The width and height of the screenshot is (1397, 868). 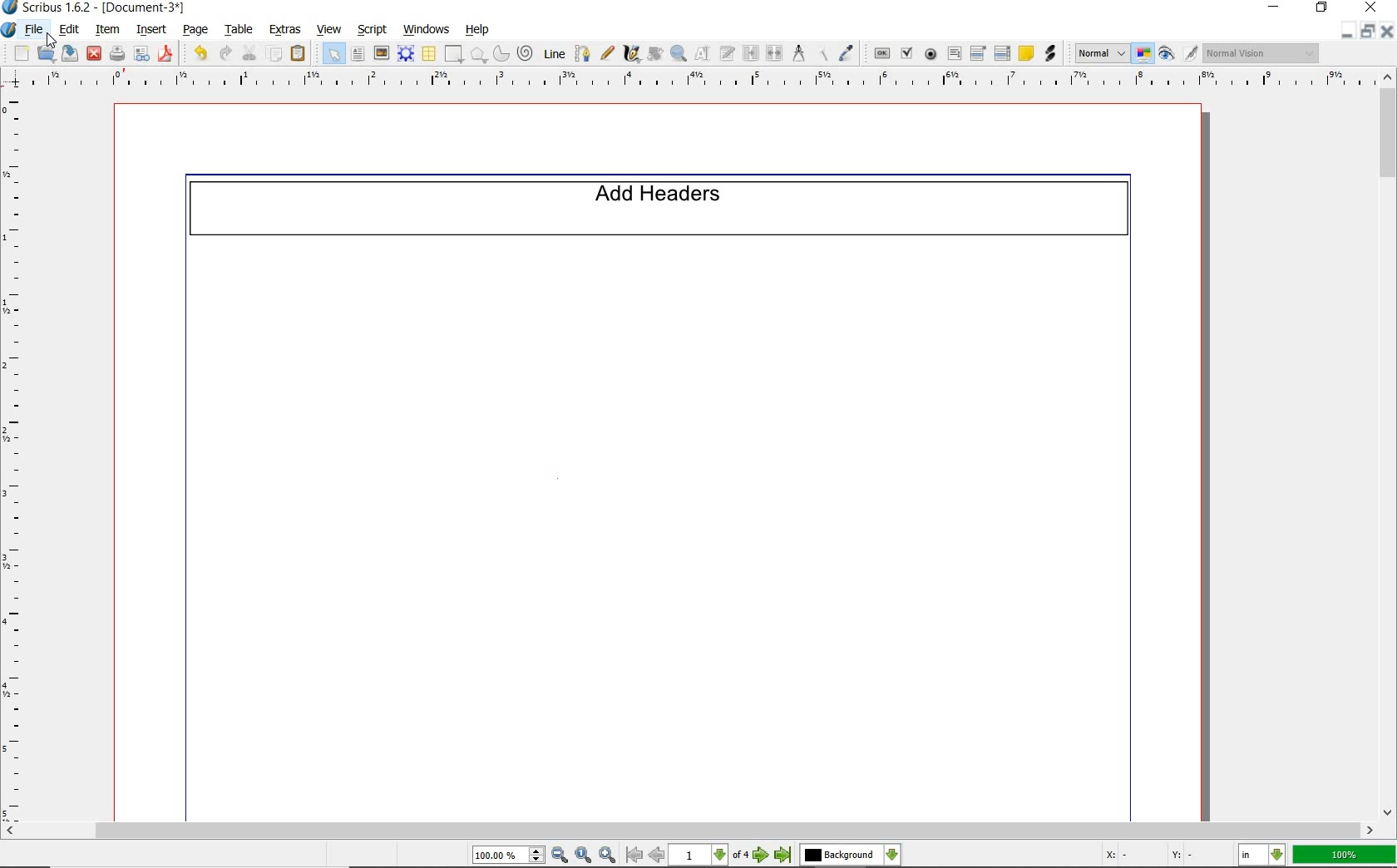 What do you see at coordinates (477, 31) in the screenshot?
I see `help` at bounding box center [477, 31].